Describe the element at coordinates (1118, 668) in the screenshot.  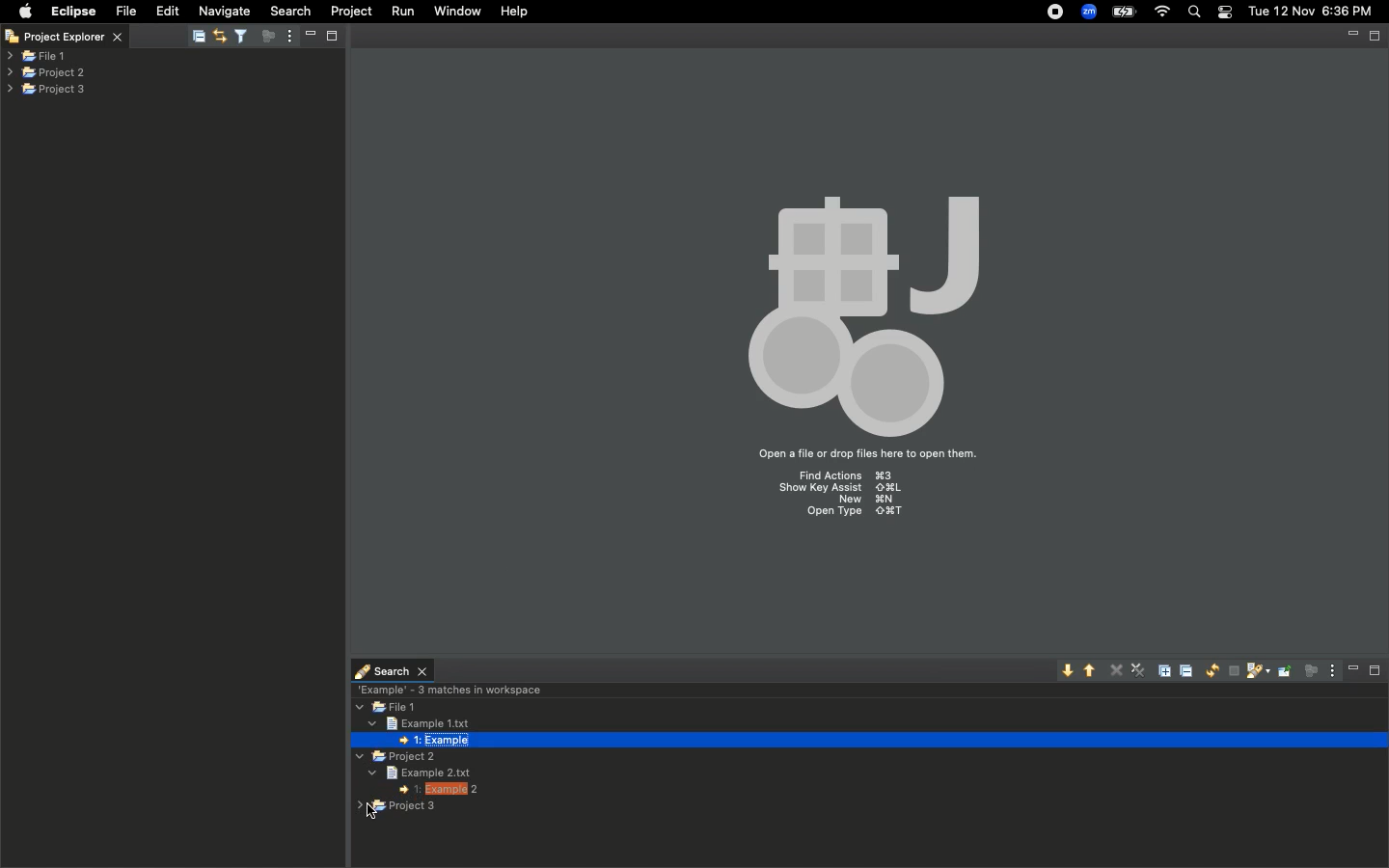
I see `Remove selected matches` at that location.